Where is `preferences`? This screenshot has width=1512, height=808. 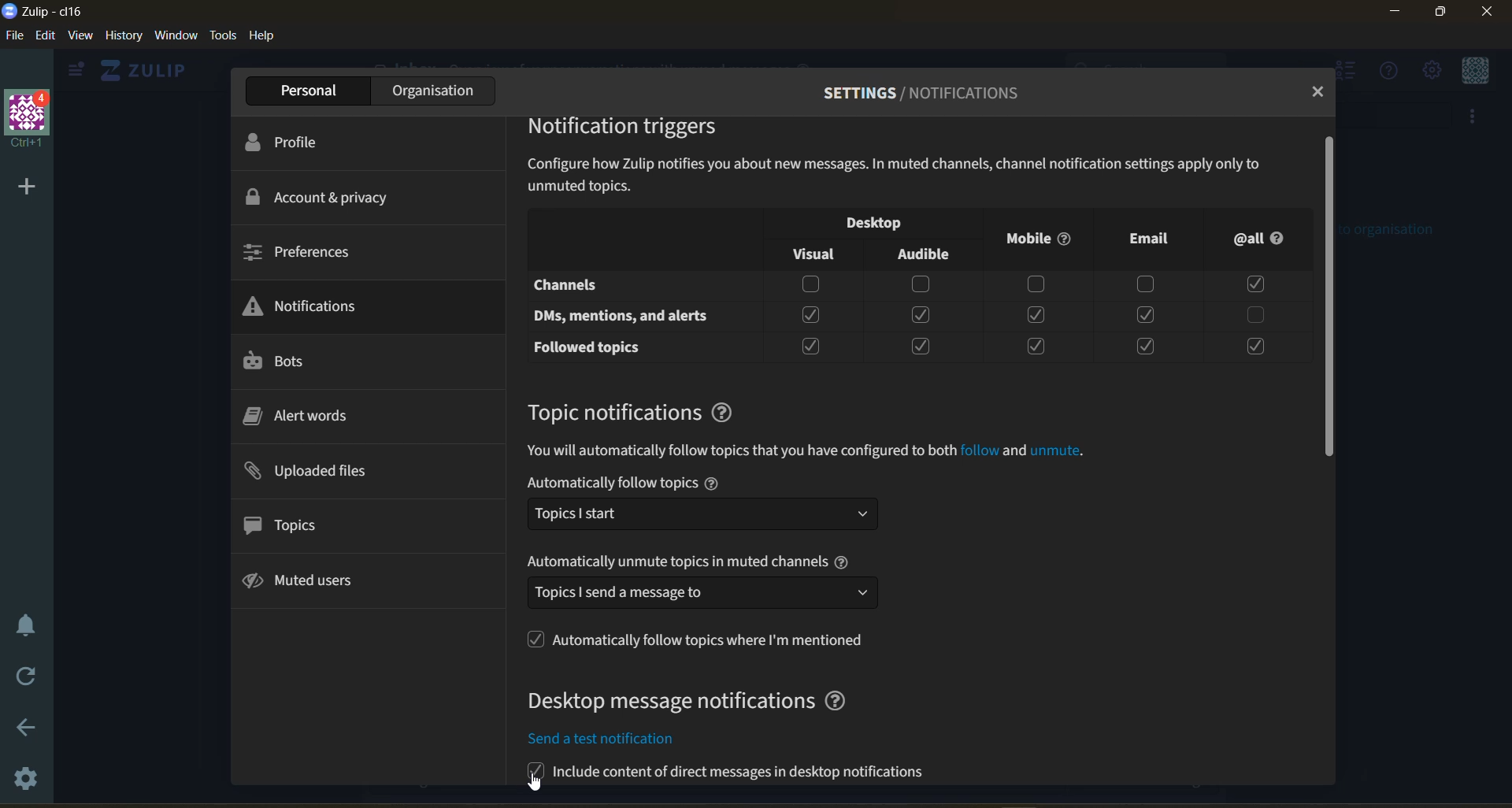
preferences is located at coordinates (301, 254).